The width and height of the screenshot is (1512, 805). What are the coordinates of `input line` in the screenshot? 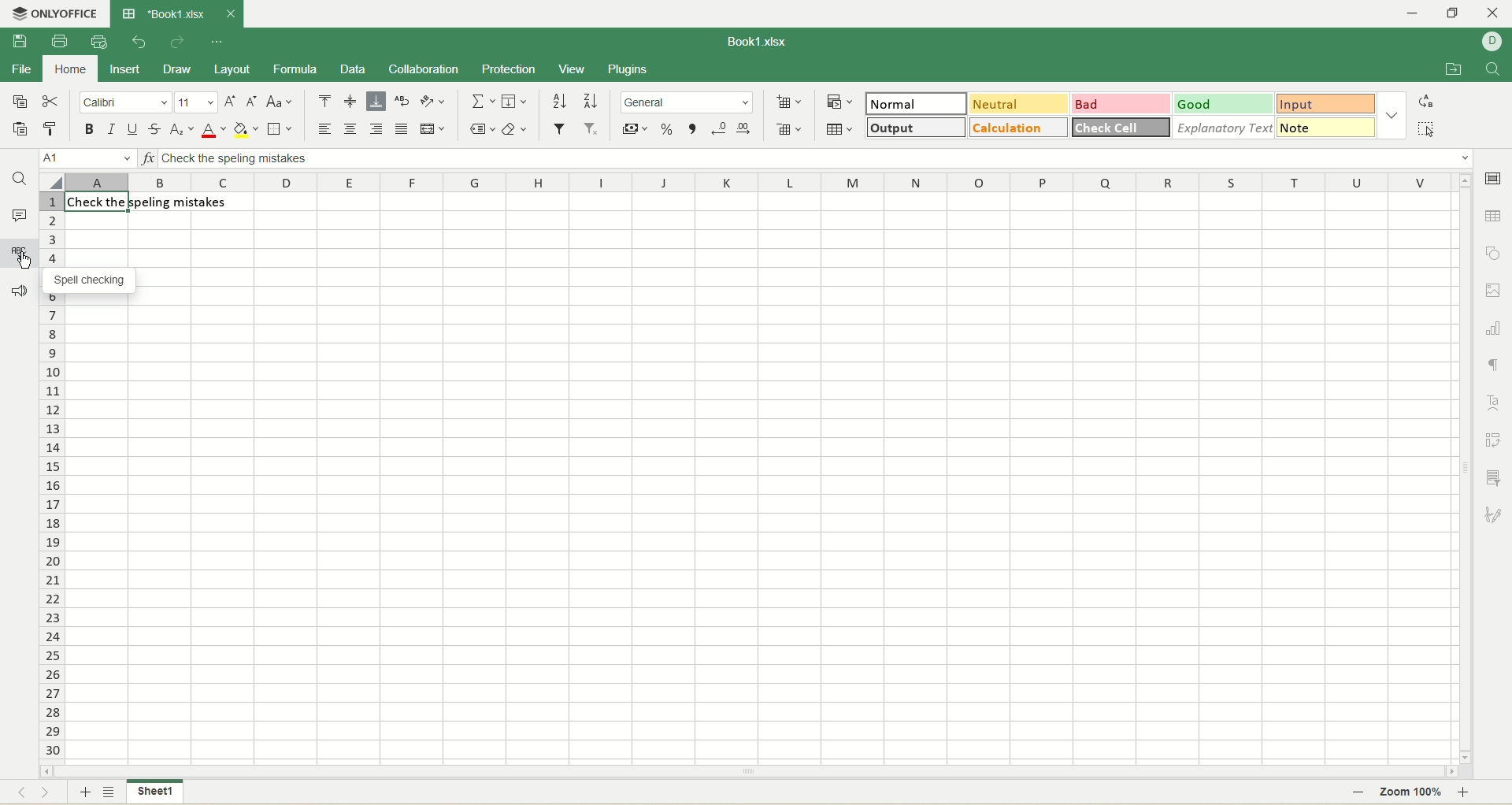 It's located at (815, 159).